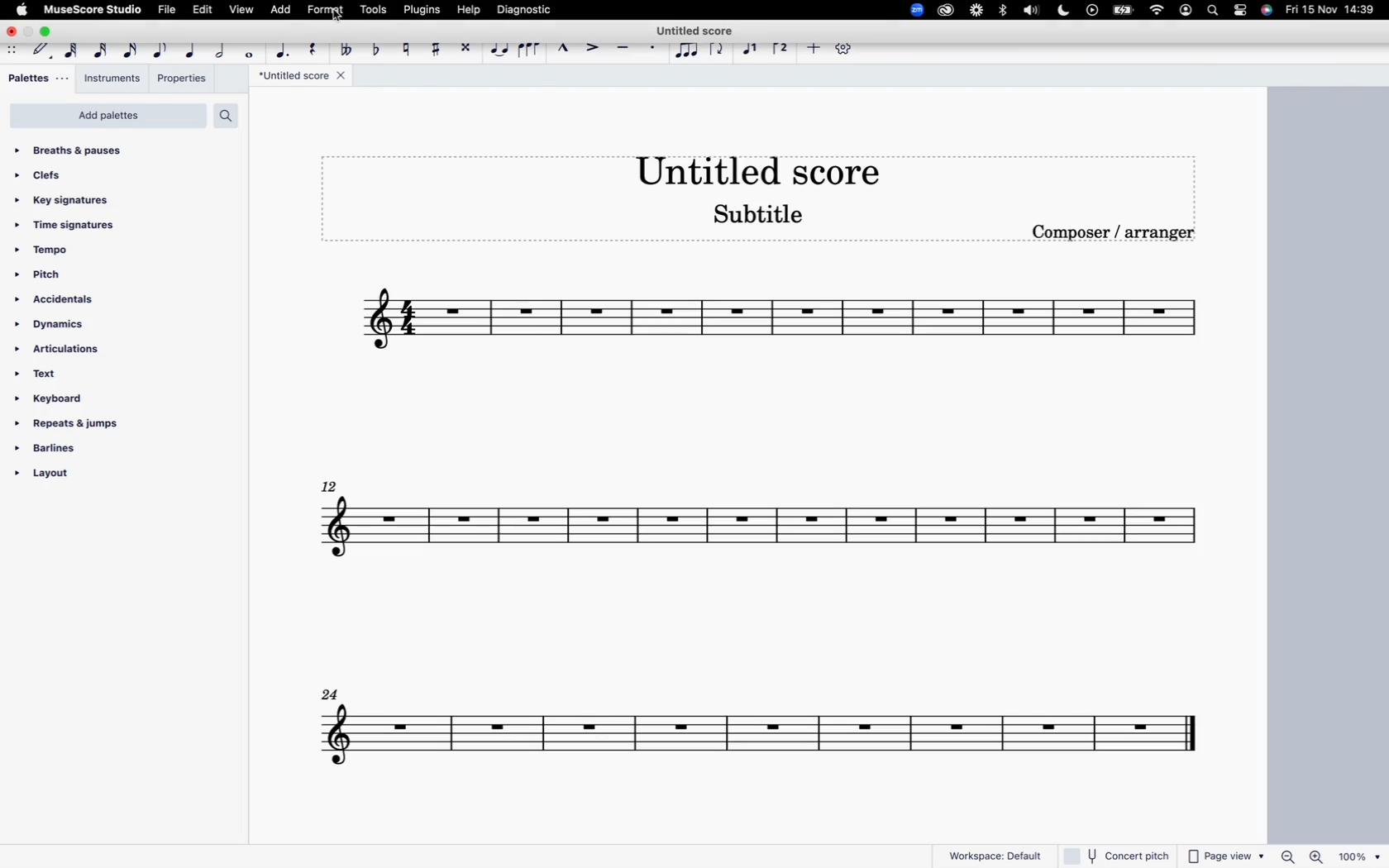 The image size is (1389, 868). Describe the element at coordinates (528, 10) in the screenshot. I see `diagnostic` at that location.